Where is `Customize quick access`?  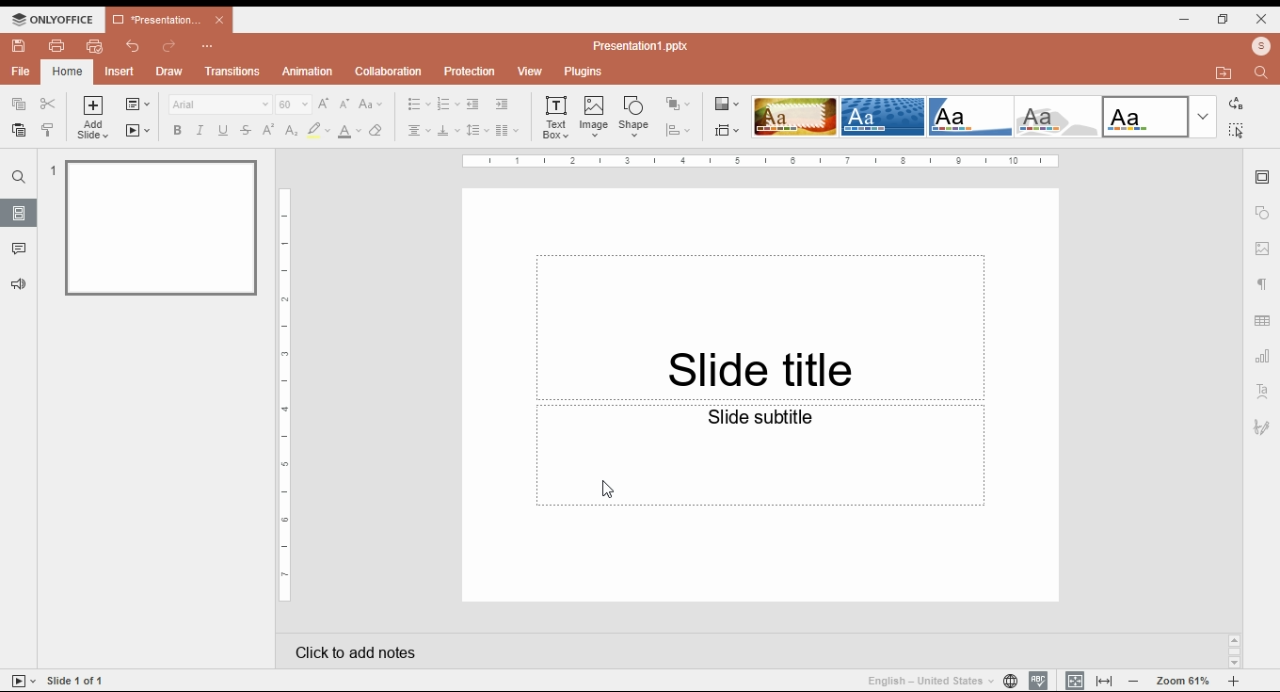 Customize quick access is located at coordinates (208, 46).